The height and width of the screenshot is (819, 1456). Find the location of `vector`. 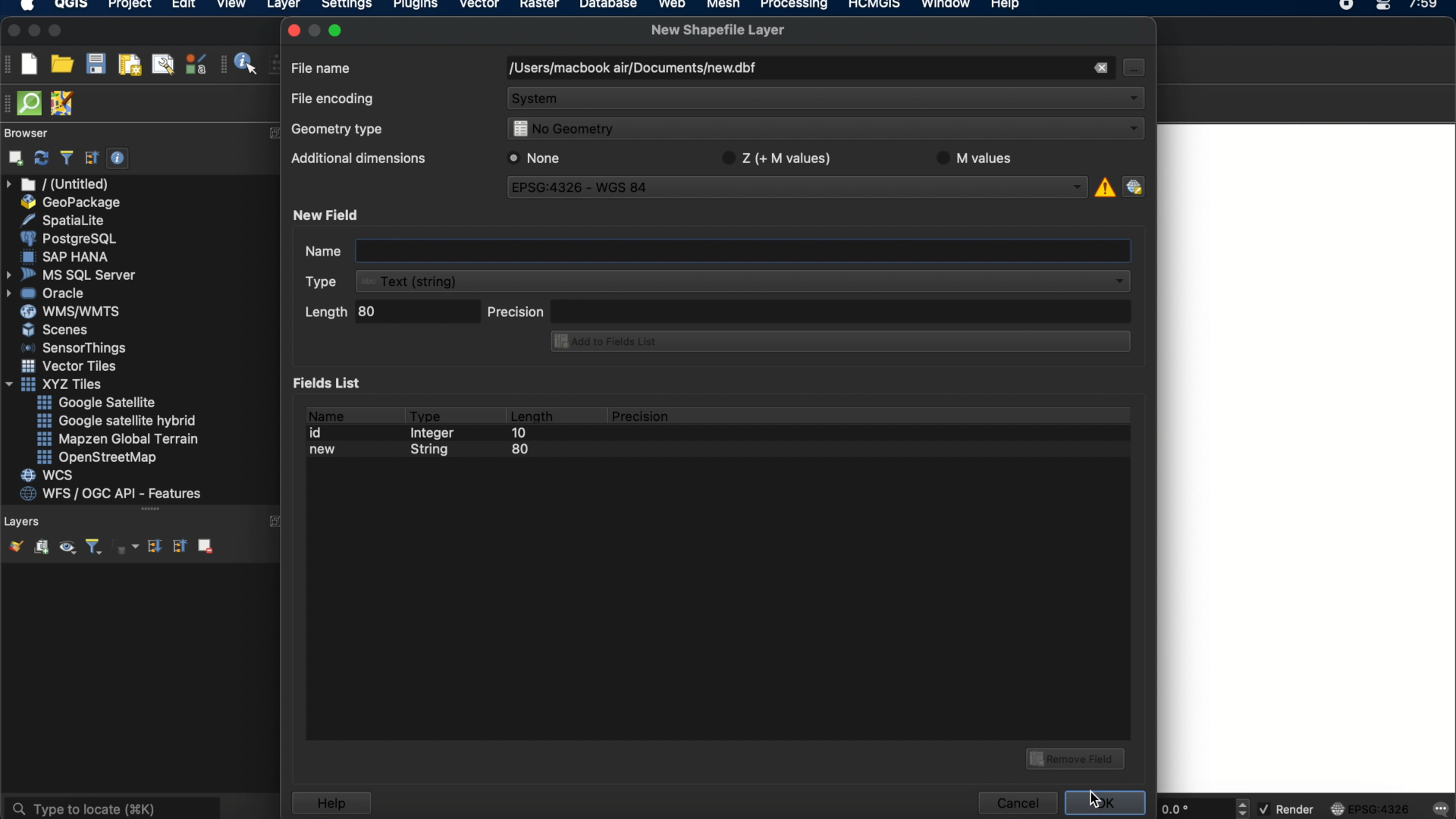

vector is located at coordinates (480, 6).